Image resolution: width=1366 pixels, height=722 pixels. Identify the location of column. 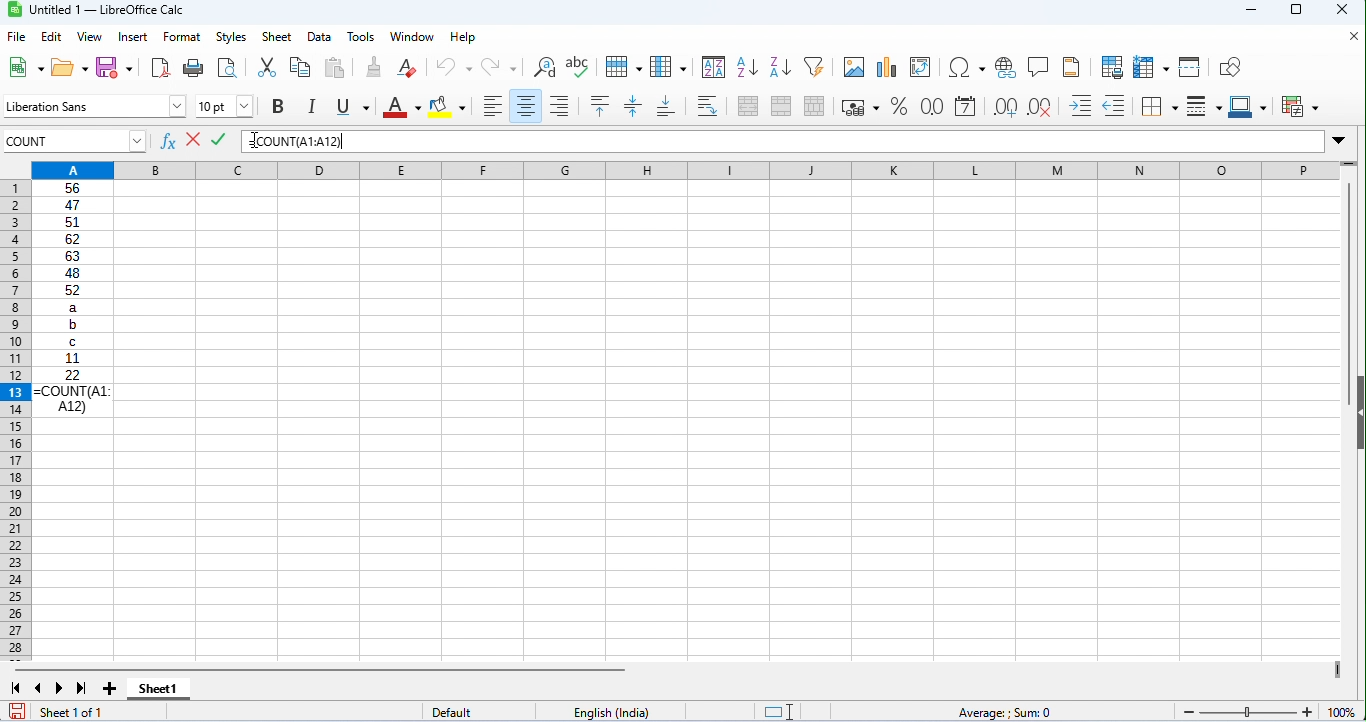
(668, 65).